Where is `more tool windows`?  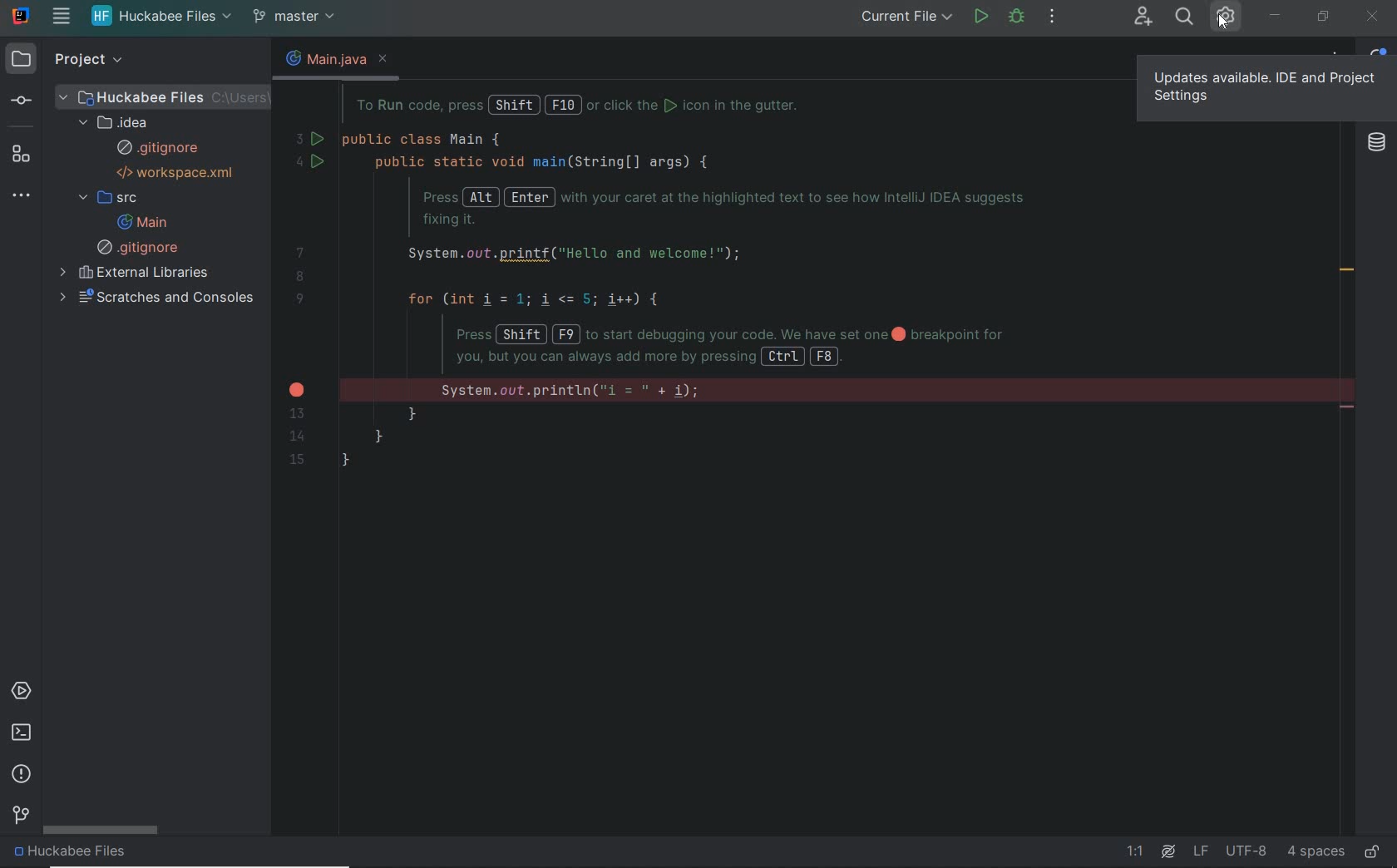 more tool windows is located at coordinates (27, 196).